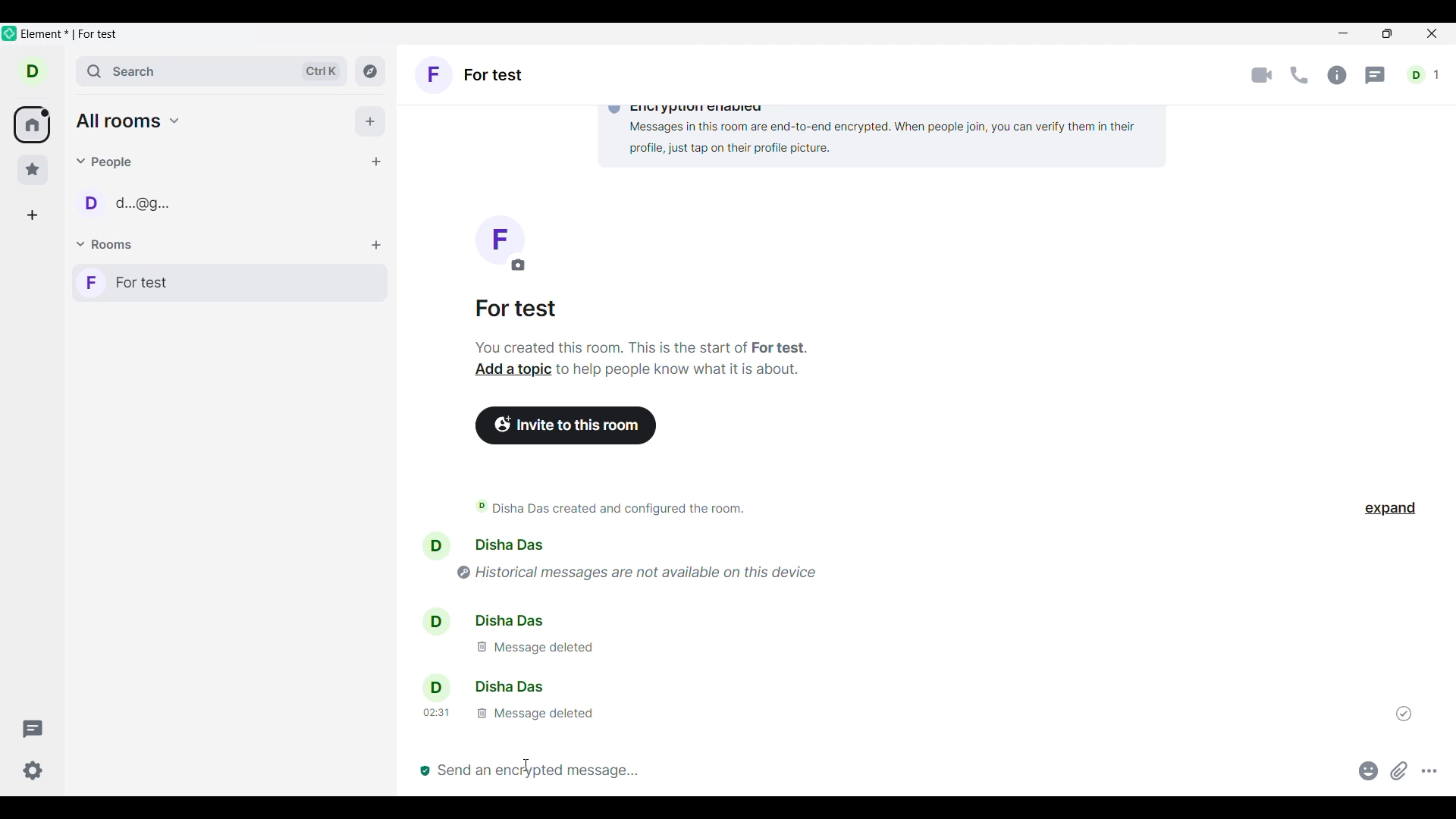  What do you see at coordinates (33, 170) in the screenshot?
I see `Favorites` at bounding box center [33, 170].